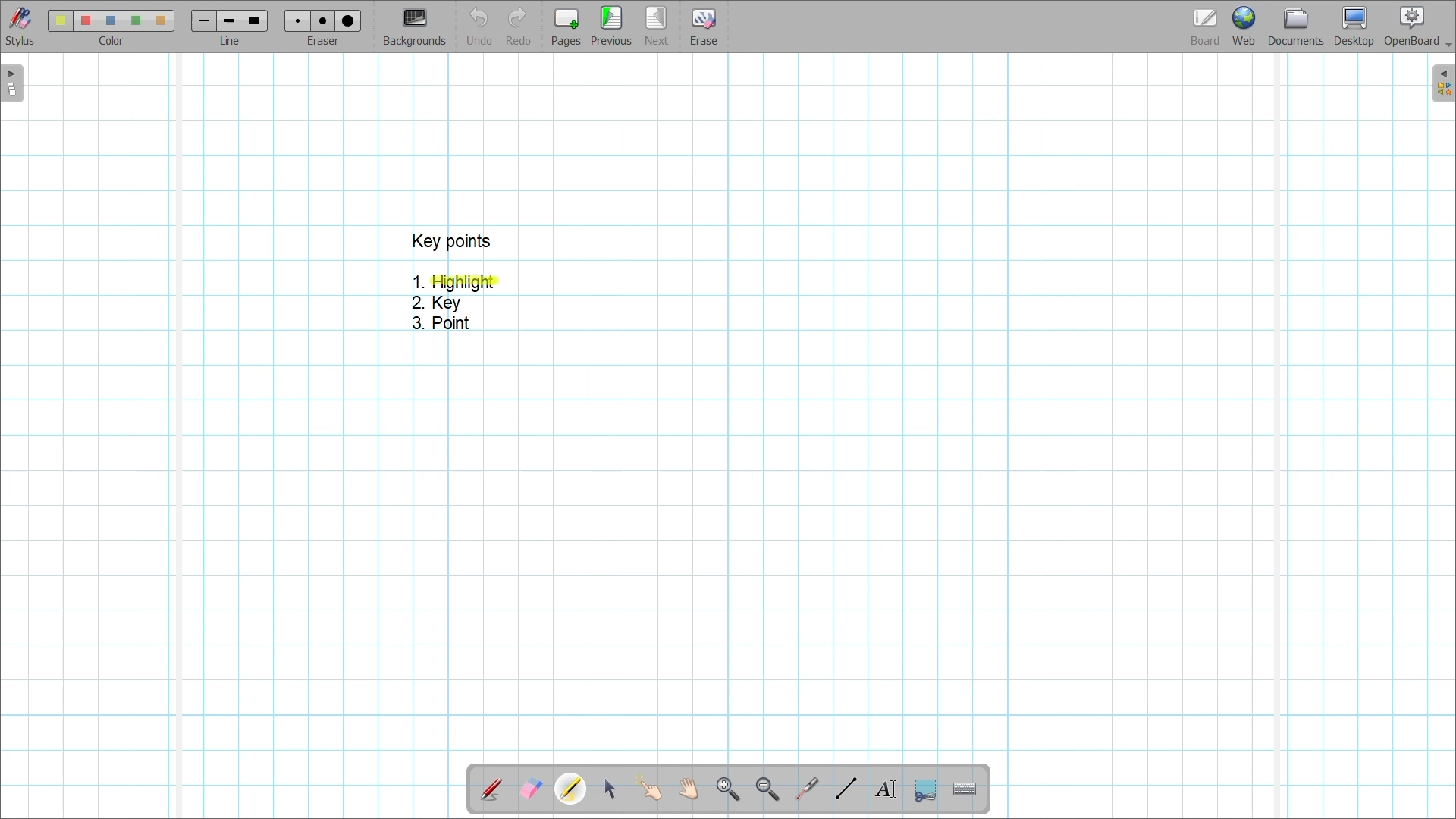 This screenshot has width=1456, height=819. Describe the element at coordinates (532, 789) in the screenshot. I see `Erase annotation` at that location.